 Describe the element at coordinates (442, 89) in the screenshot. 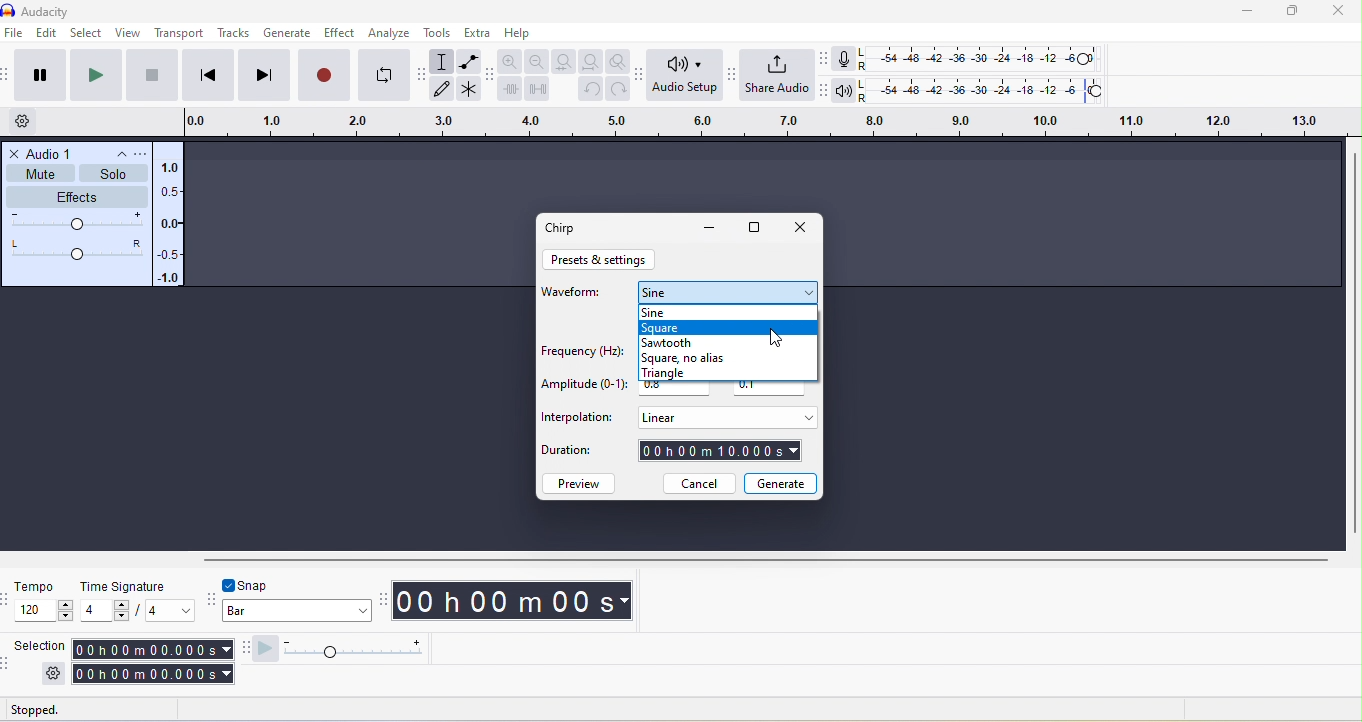

I see `draw tool` at that location.